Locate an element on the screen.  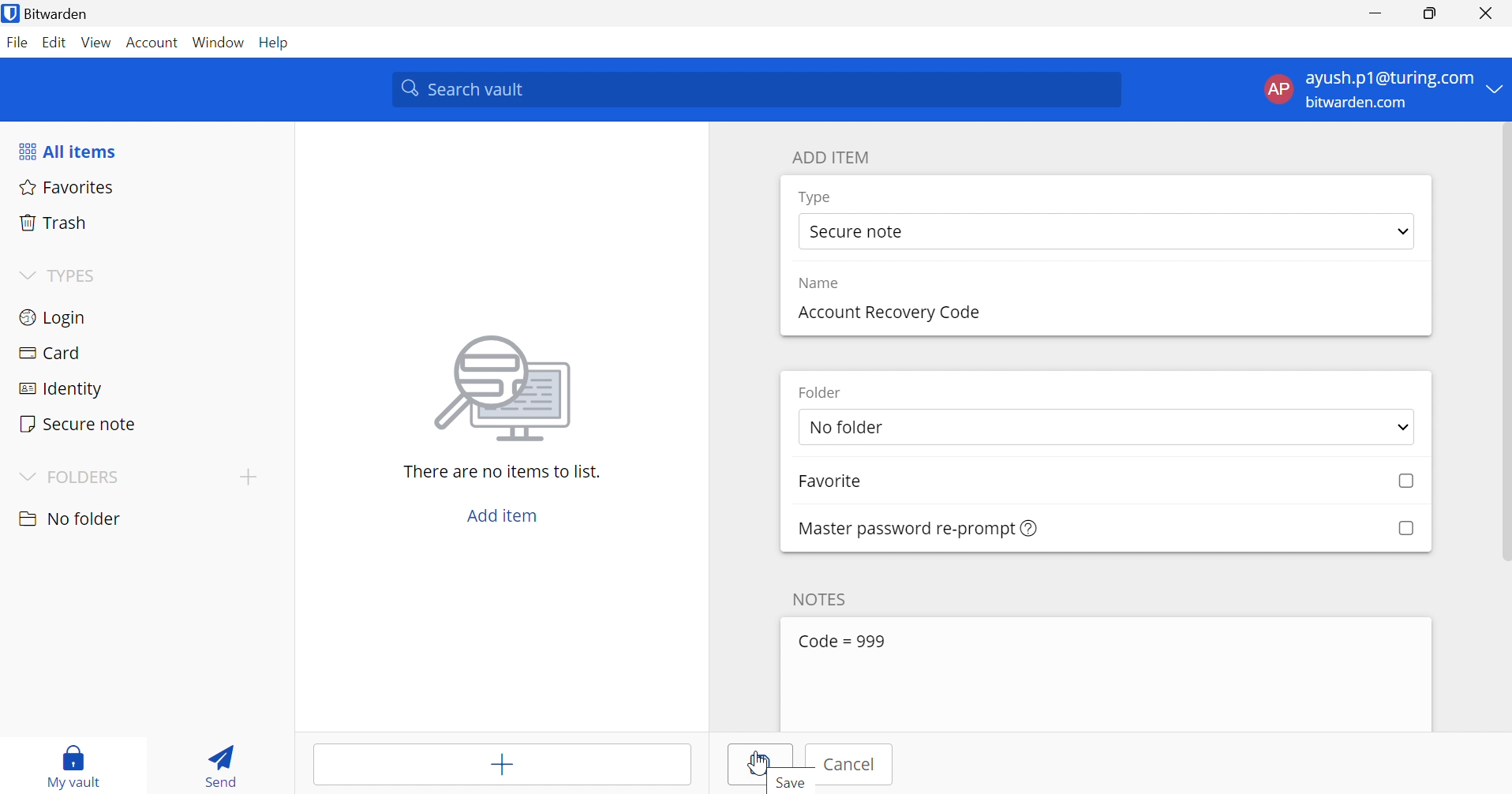
Favourites is located at coordinates (69, 189).